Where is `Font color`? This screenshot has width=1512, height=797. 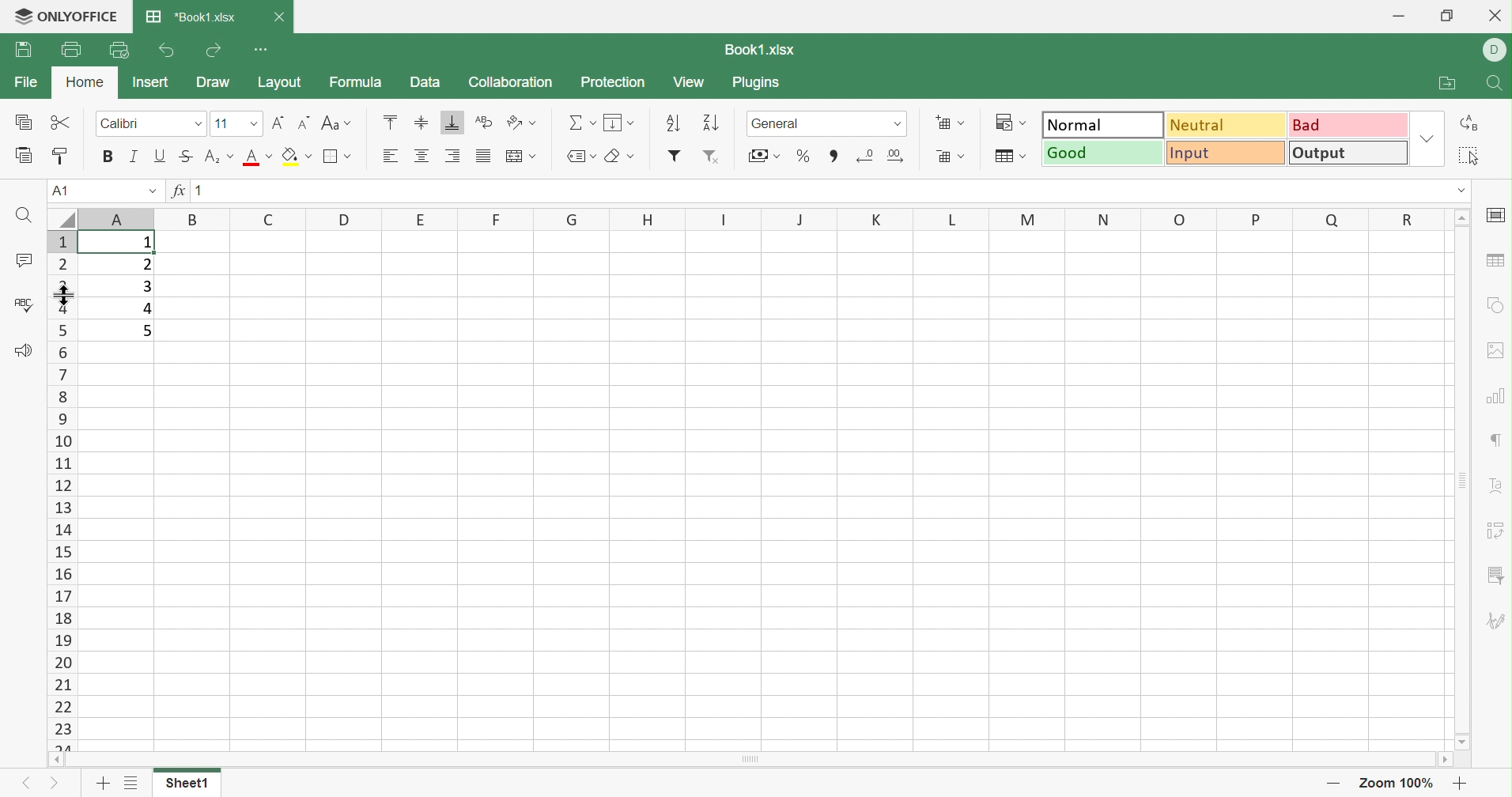
Font color is located at coordinates (252, 156).